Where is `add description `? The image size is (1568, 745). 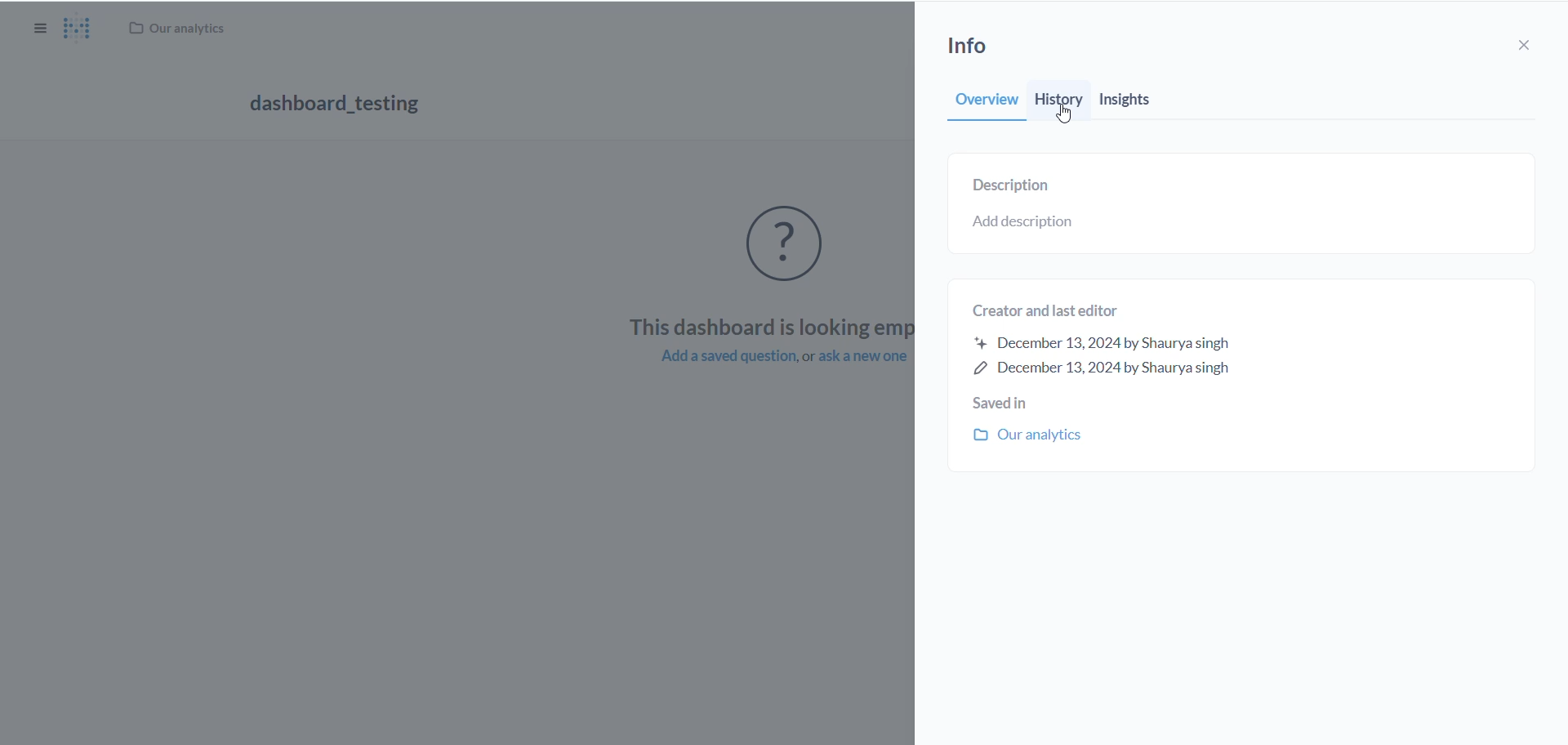
add description  is located at coordinates (1020, 222).